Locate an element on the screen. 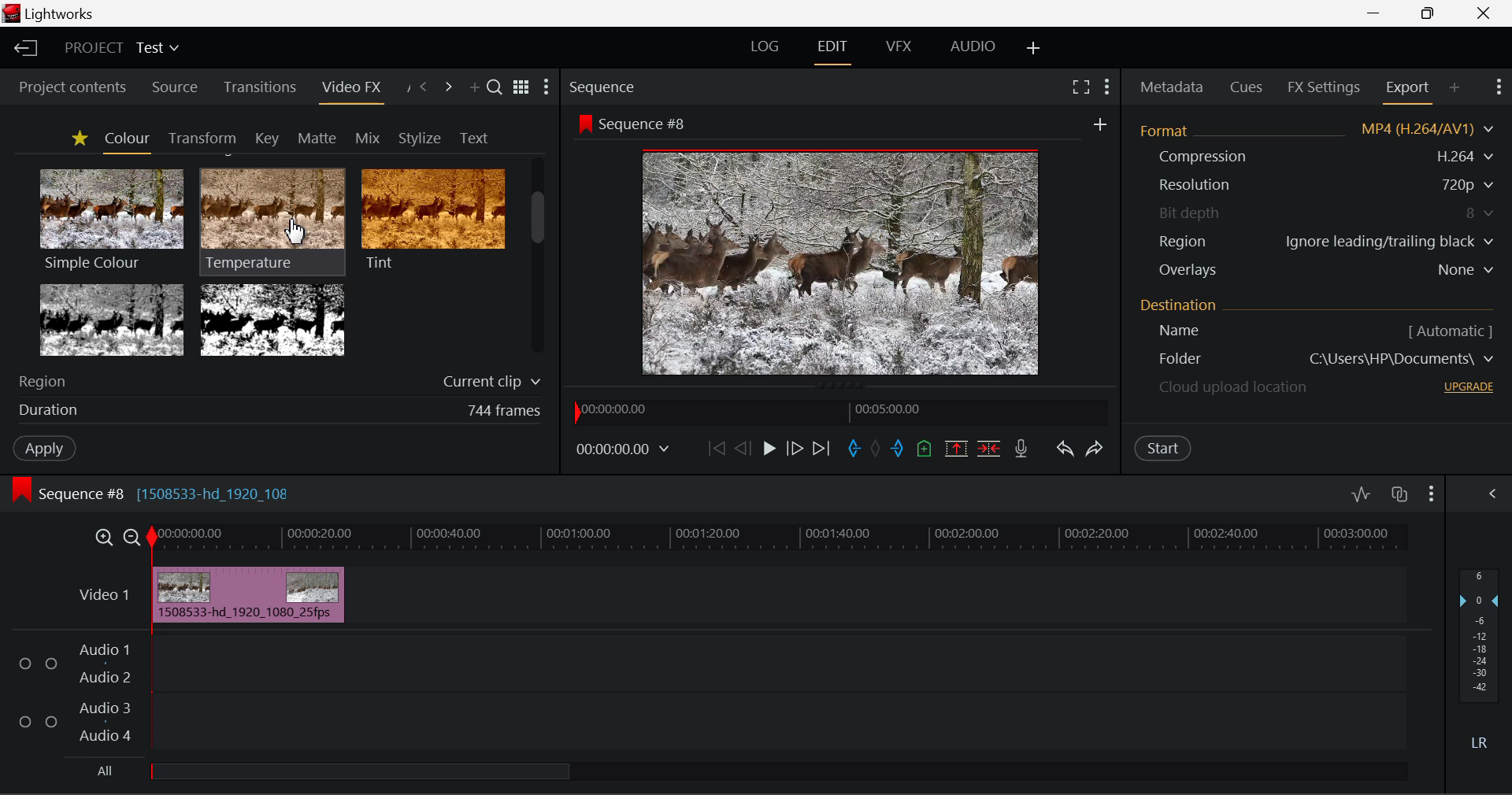  UPGRADE is located at coordinates (1469, 386).